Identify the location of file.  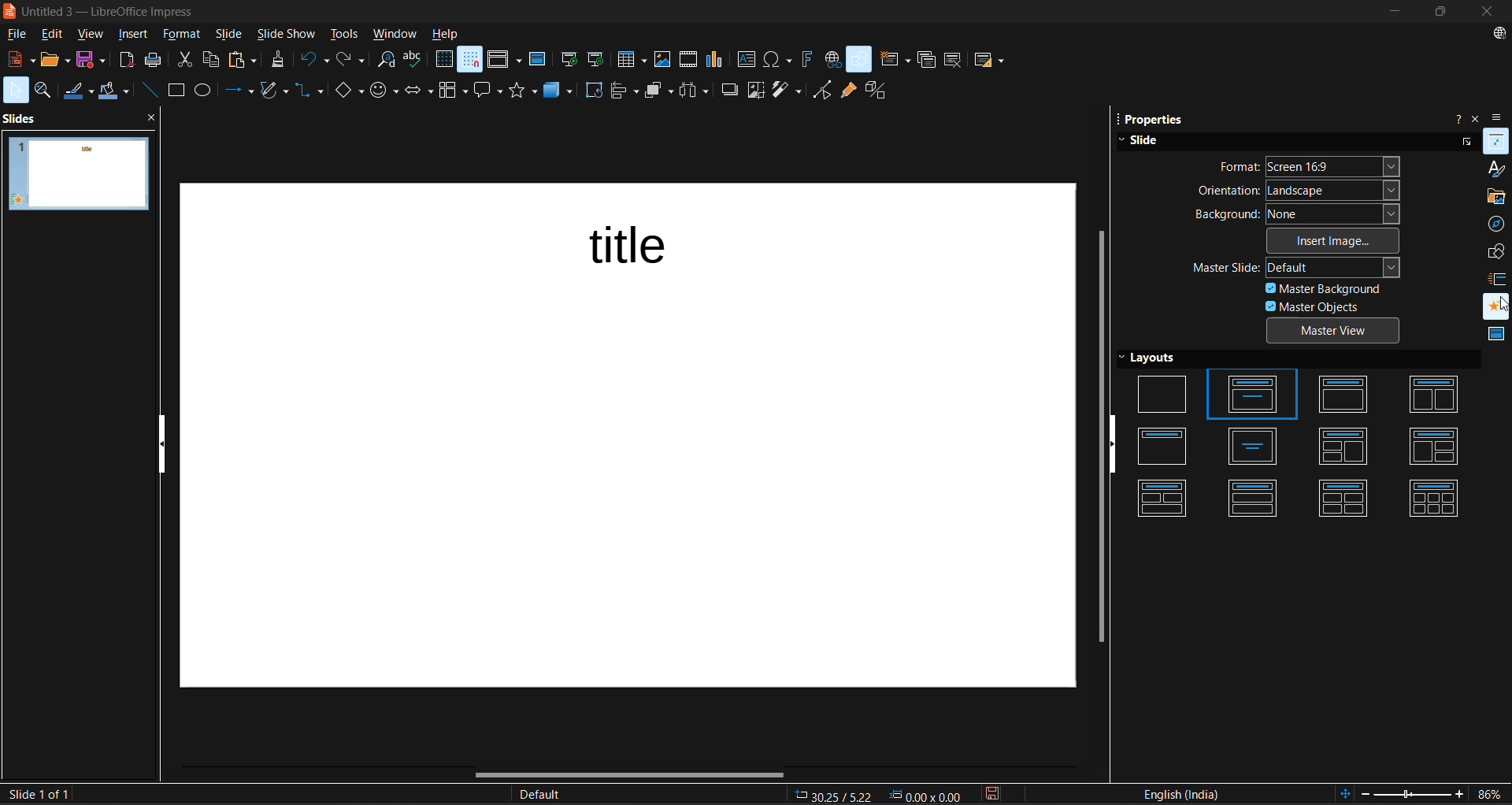
(21, 35).